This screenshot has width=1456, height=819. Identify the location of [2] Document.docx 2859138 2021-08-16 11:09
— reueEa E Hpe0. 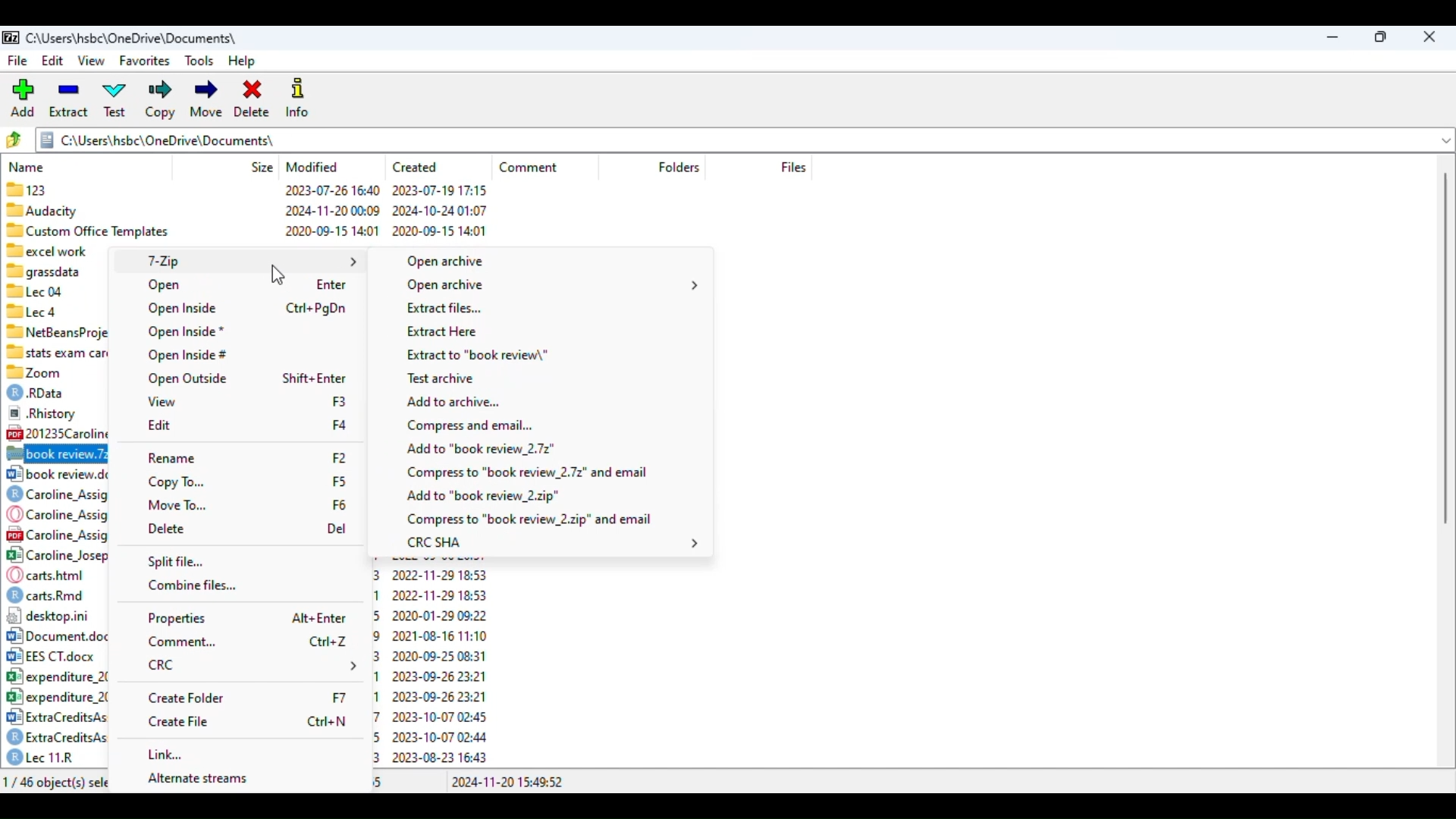
(58, 635).